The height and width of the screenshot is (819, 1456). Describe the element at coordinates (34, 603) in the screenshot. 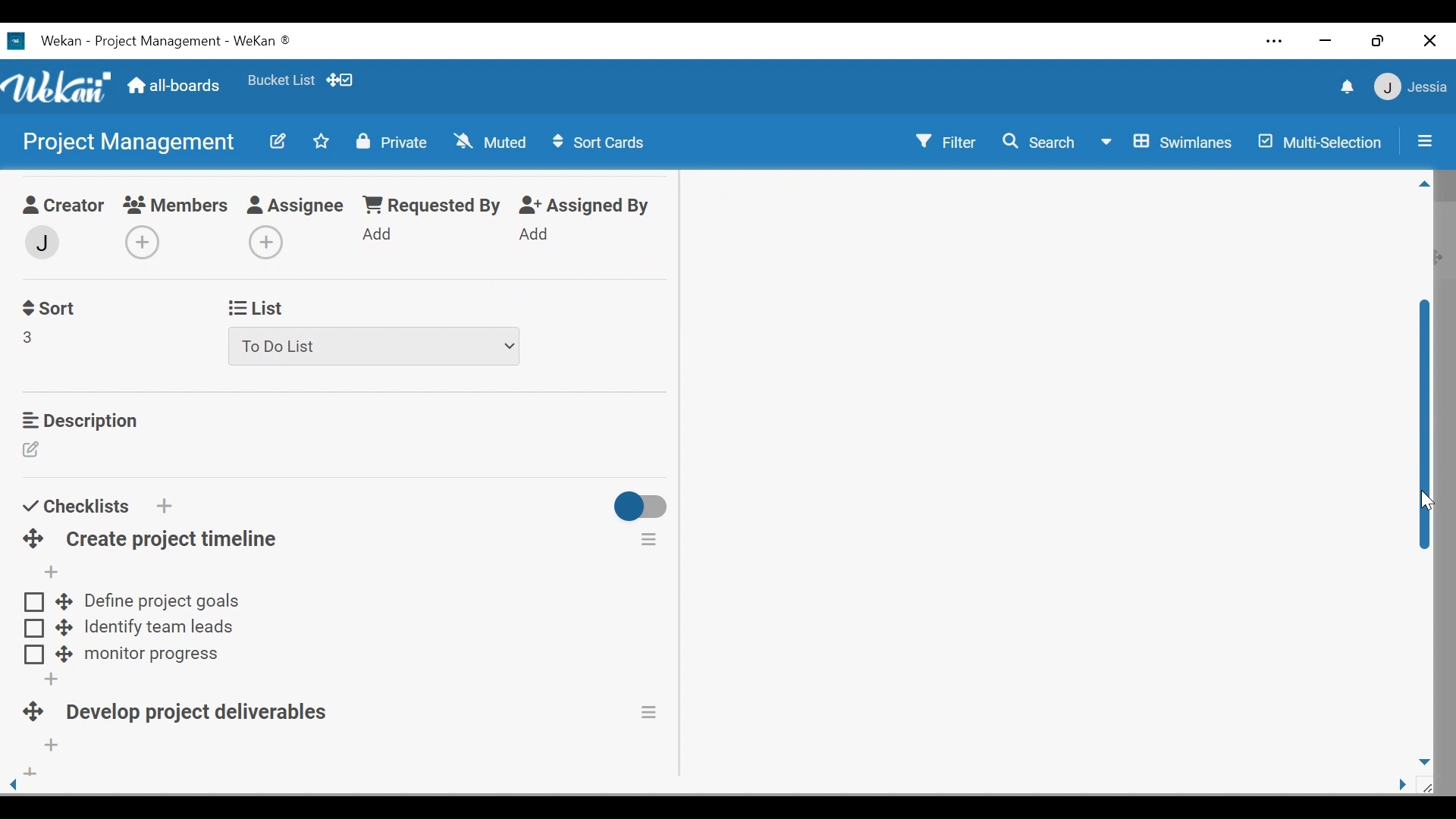

I see `(un)check ` at that location.